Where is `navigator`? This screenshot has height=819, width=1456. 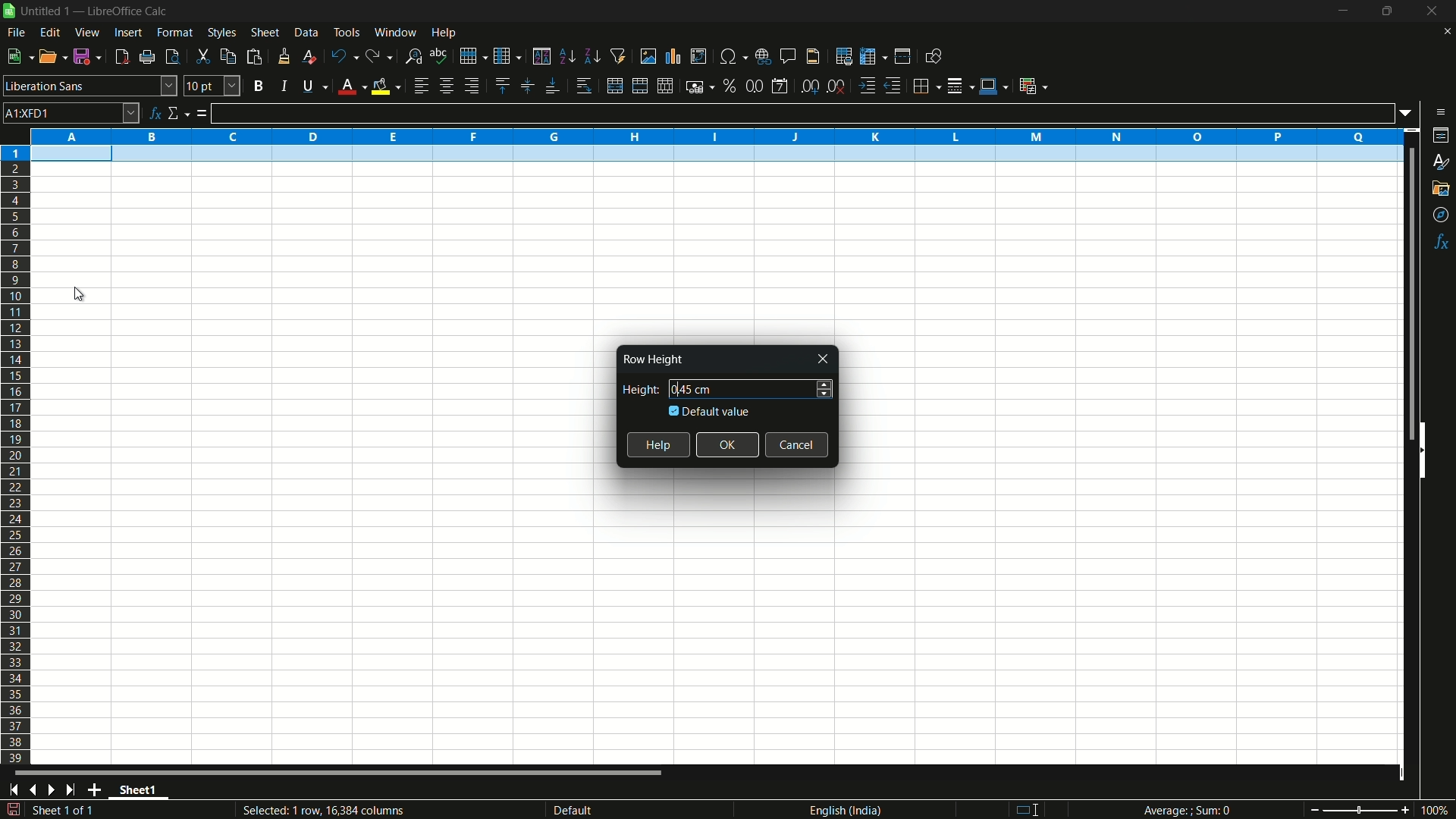
navigator is located at coordinates (1442, 215).